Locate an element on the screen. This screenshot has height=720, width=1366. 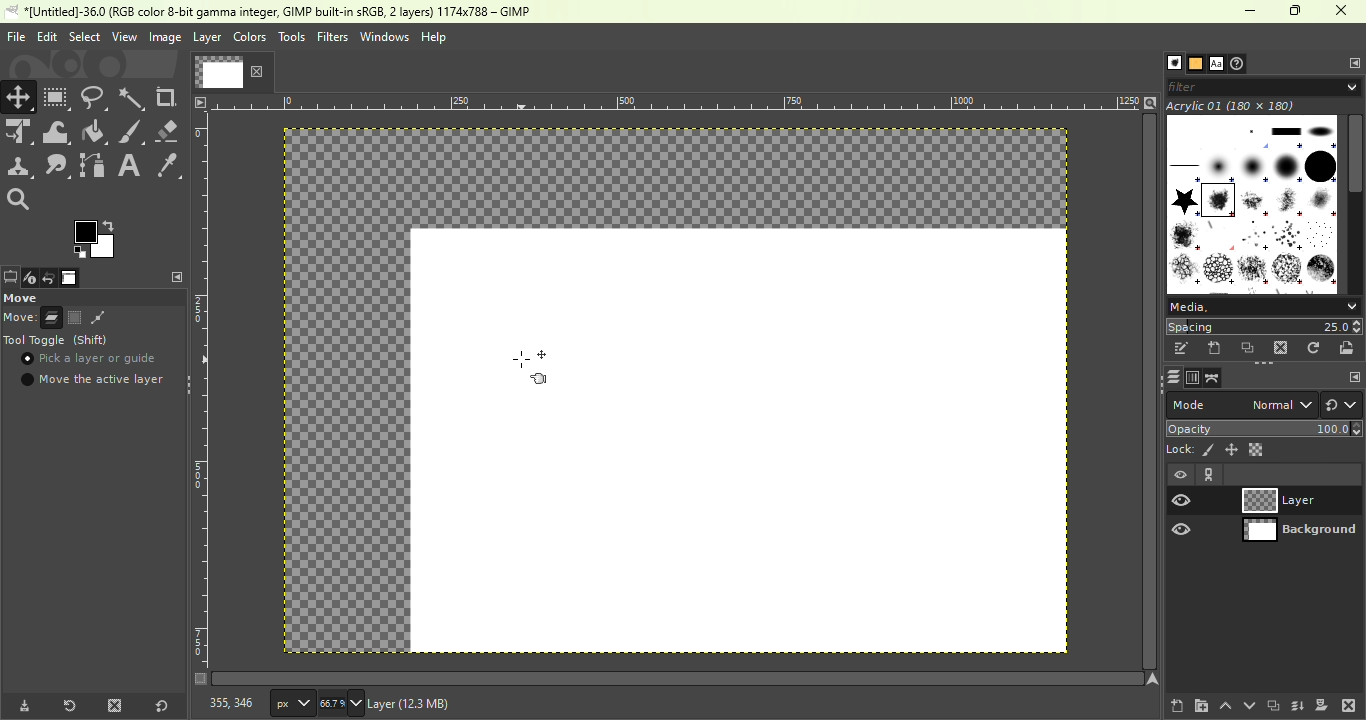
Spacing is located at coordinates (1264, 326).